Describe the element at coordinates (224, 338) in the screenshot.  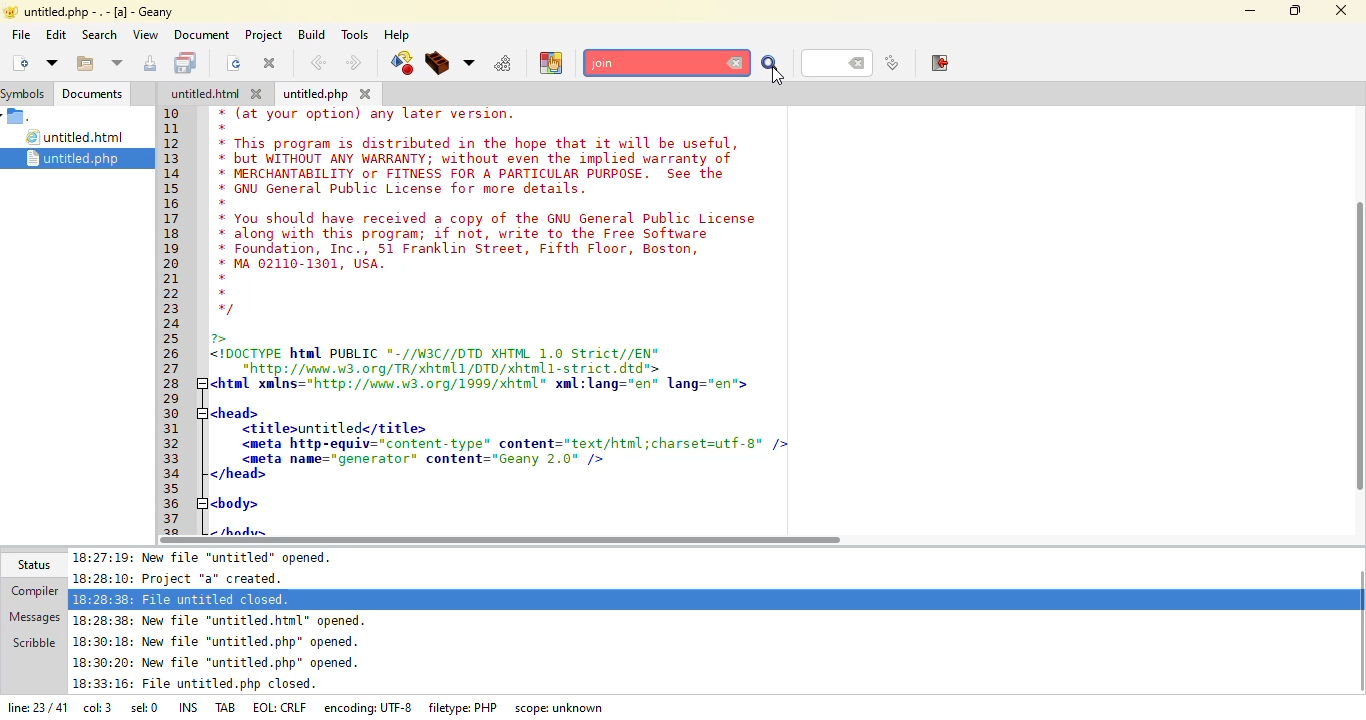
I see `?>` at that location.